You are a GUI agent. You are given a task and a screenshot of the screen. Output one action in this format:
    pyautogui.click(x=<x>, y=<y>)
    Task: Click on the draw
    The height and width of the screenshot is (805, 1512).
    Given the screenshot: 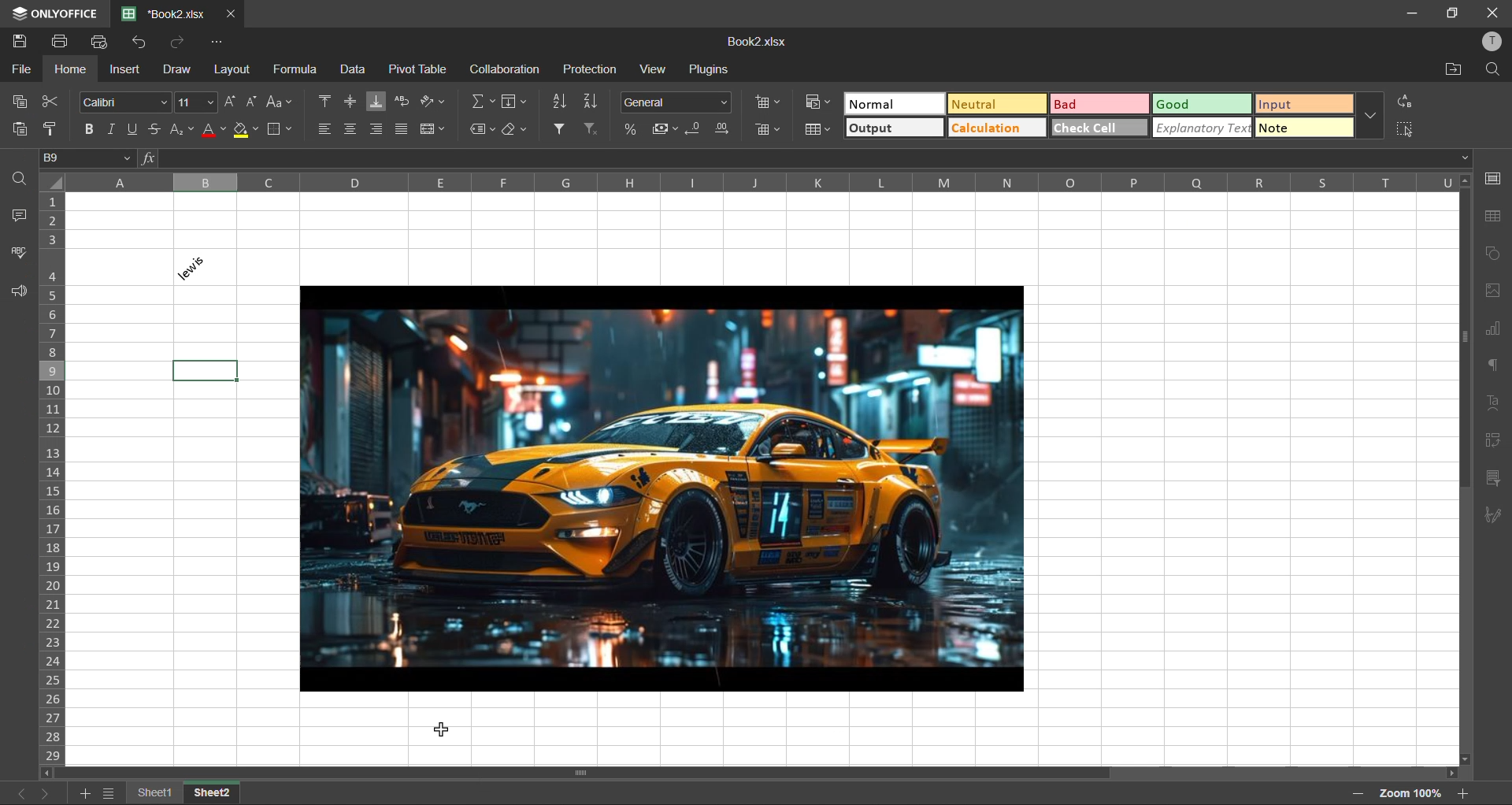 What is the action you would take?
    pyautogui.click(x=177, y=71)
    